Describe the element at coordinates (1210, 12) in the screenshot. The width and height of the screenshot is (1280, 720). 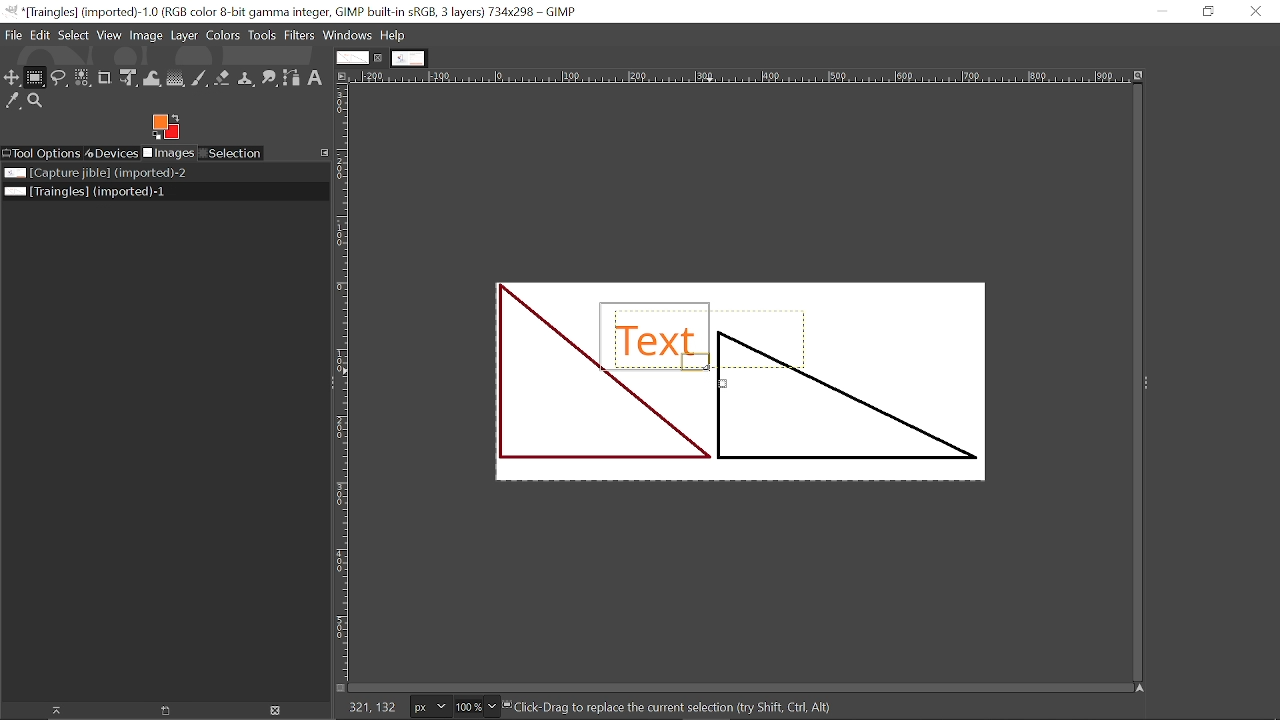
I see `Restore down` at that location.